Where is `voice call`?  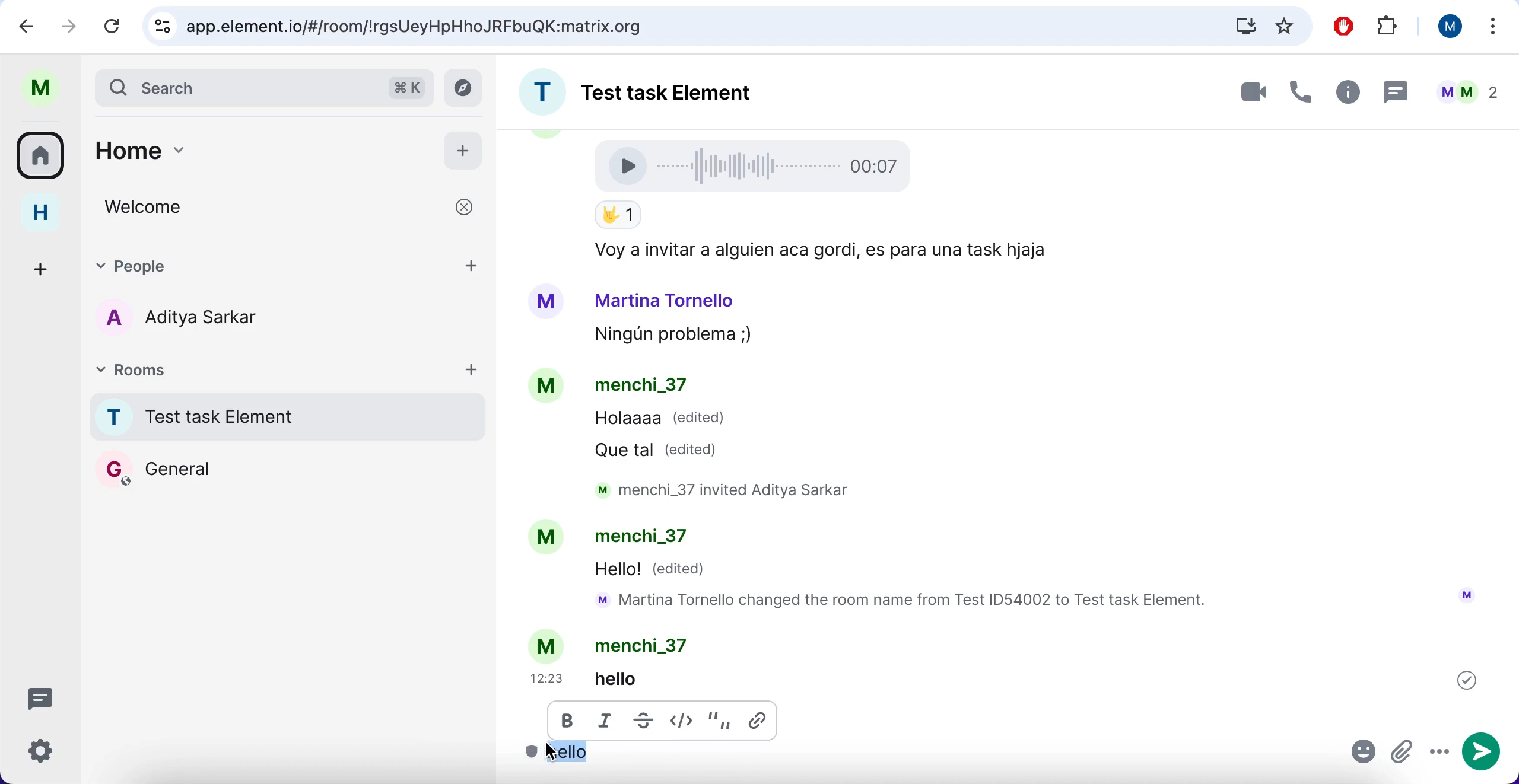 voice call is located at coordinates (1297, 95).